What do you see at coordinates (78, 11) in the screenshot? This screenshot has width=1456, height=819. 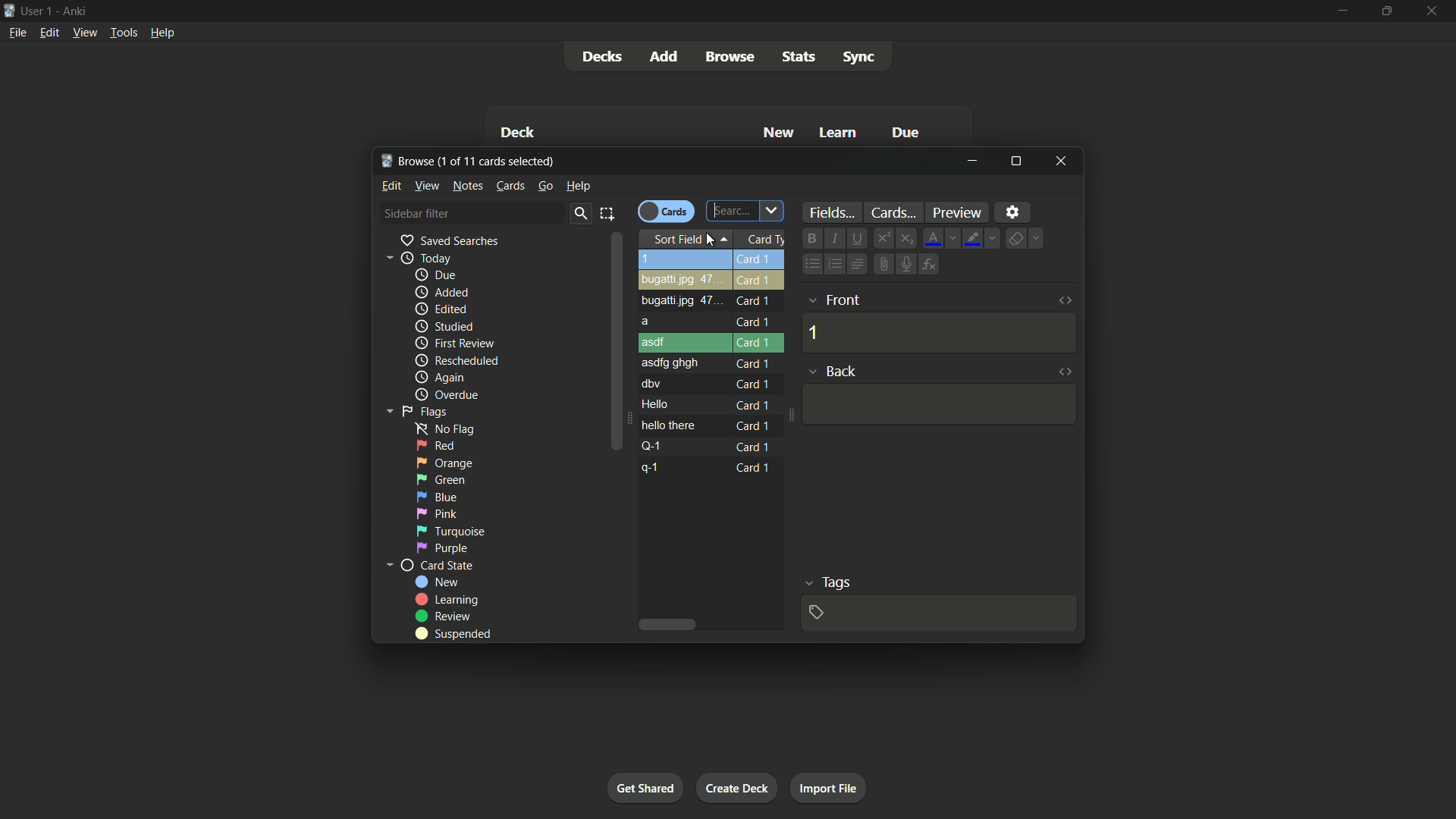 I see `app name` at bounding box center [78, 11].